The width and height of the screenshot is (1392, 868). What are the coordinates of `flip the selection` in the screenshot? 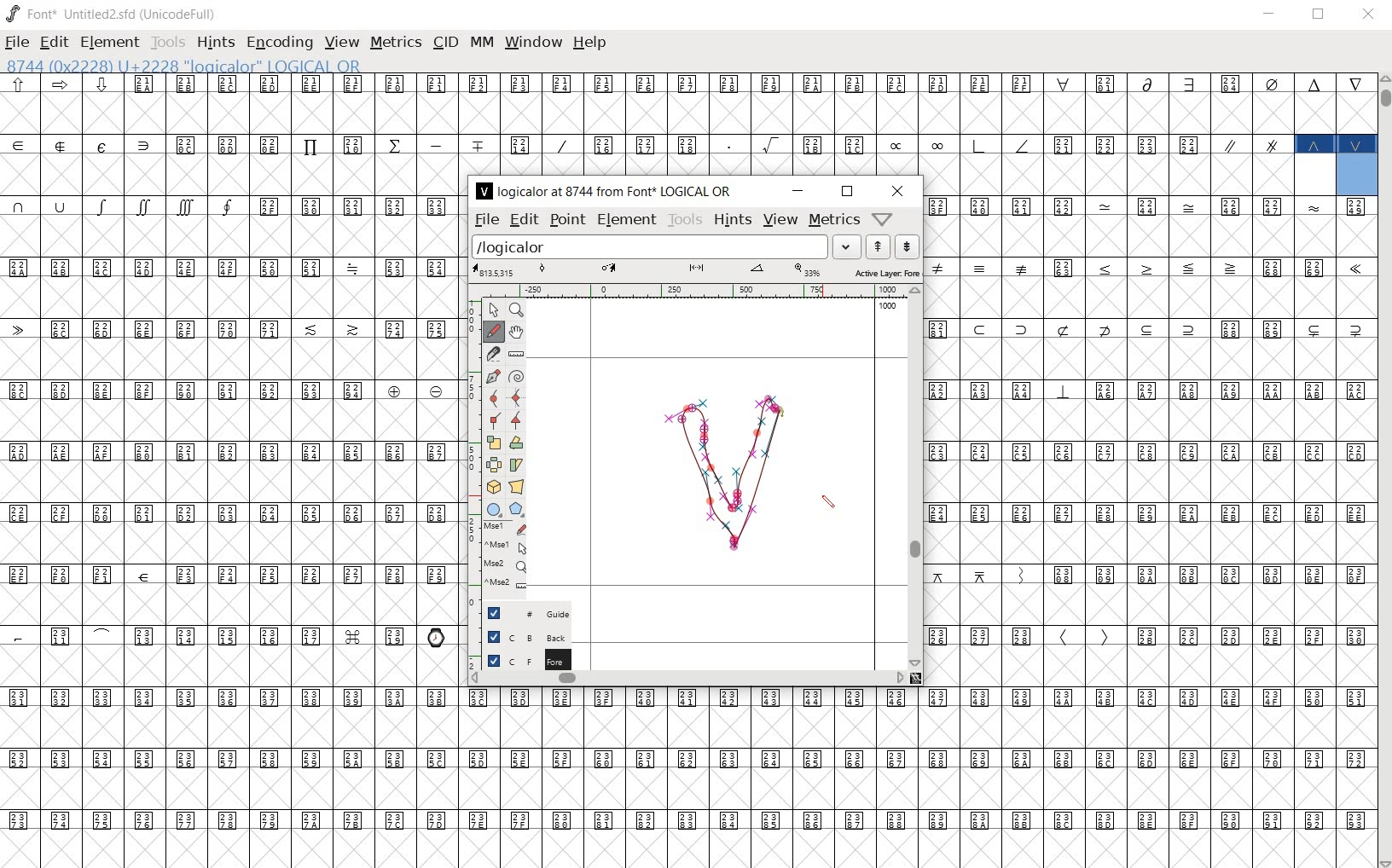 It's located at (518, 443).